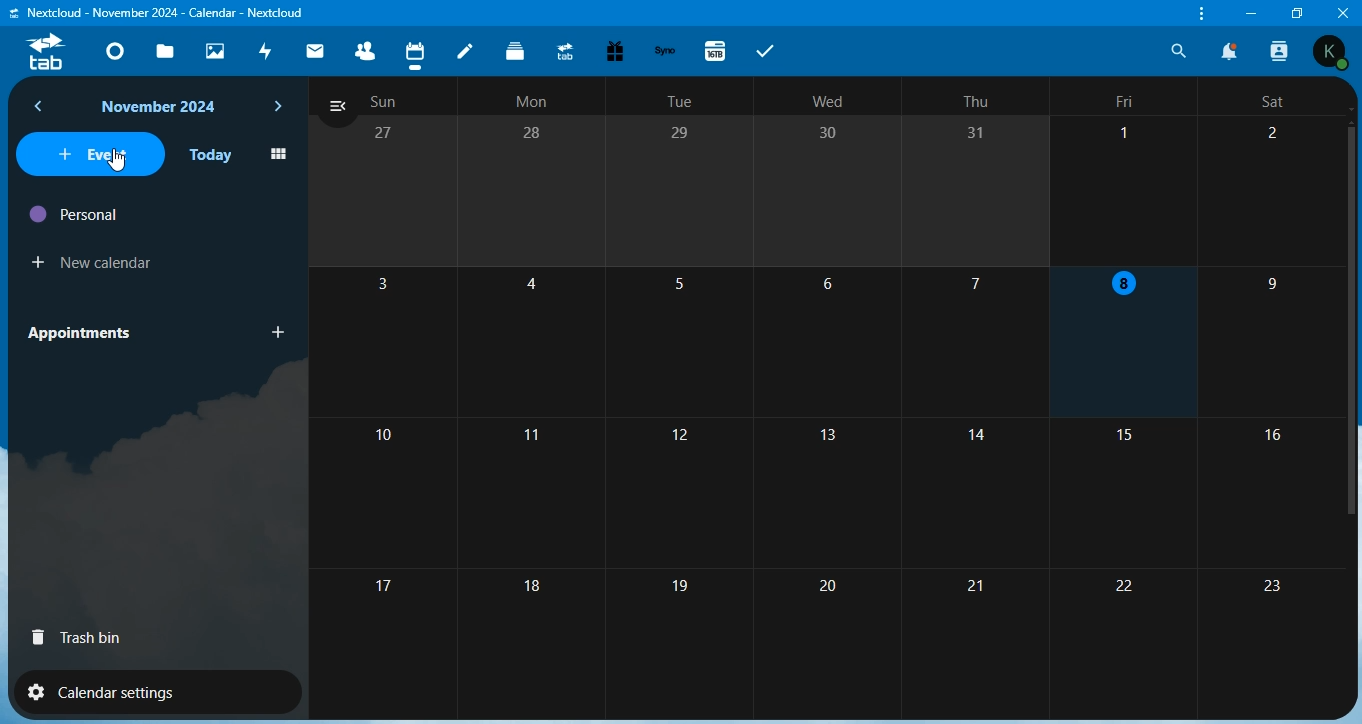  What do you see at coordinates (78, 214) in the screenshot?
I see `personal` at bounding box center [78, 214].